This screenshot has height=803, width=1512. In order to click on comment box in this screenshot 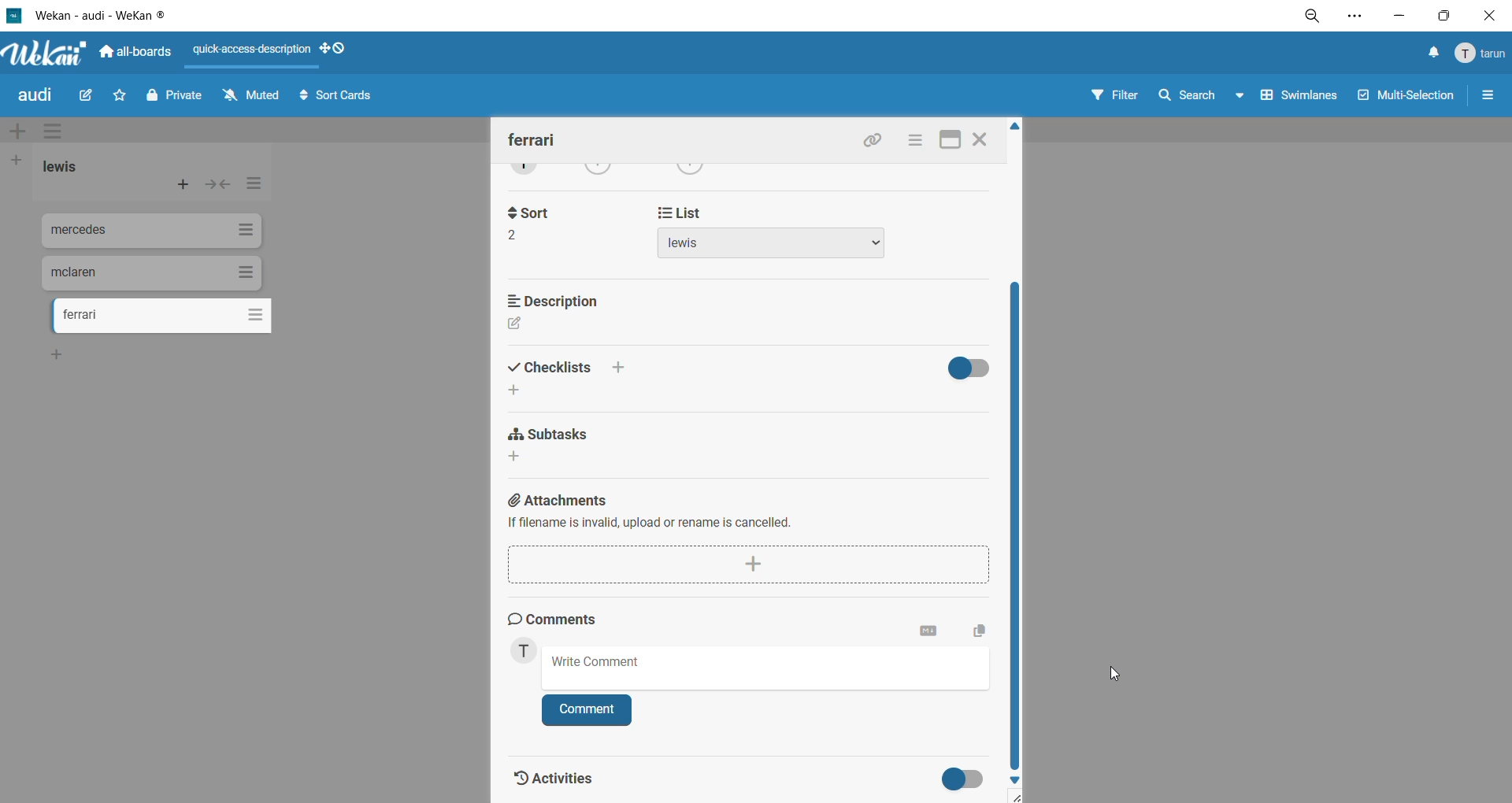, I will do `click(769, 668)`.